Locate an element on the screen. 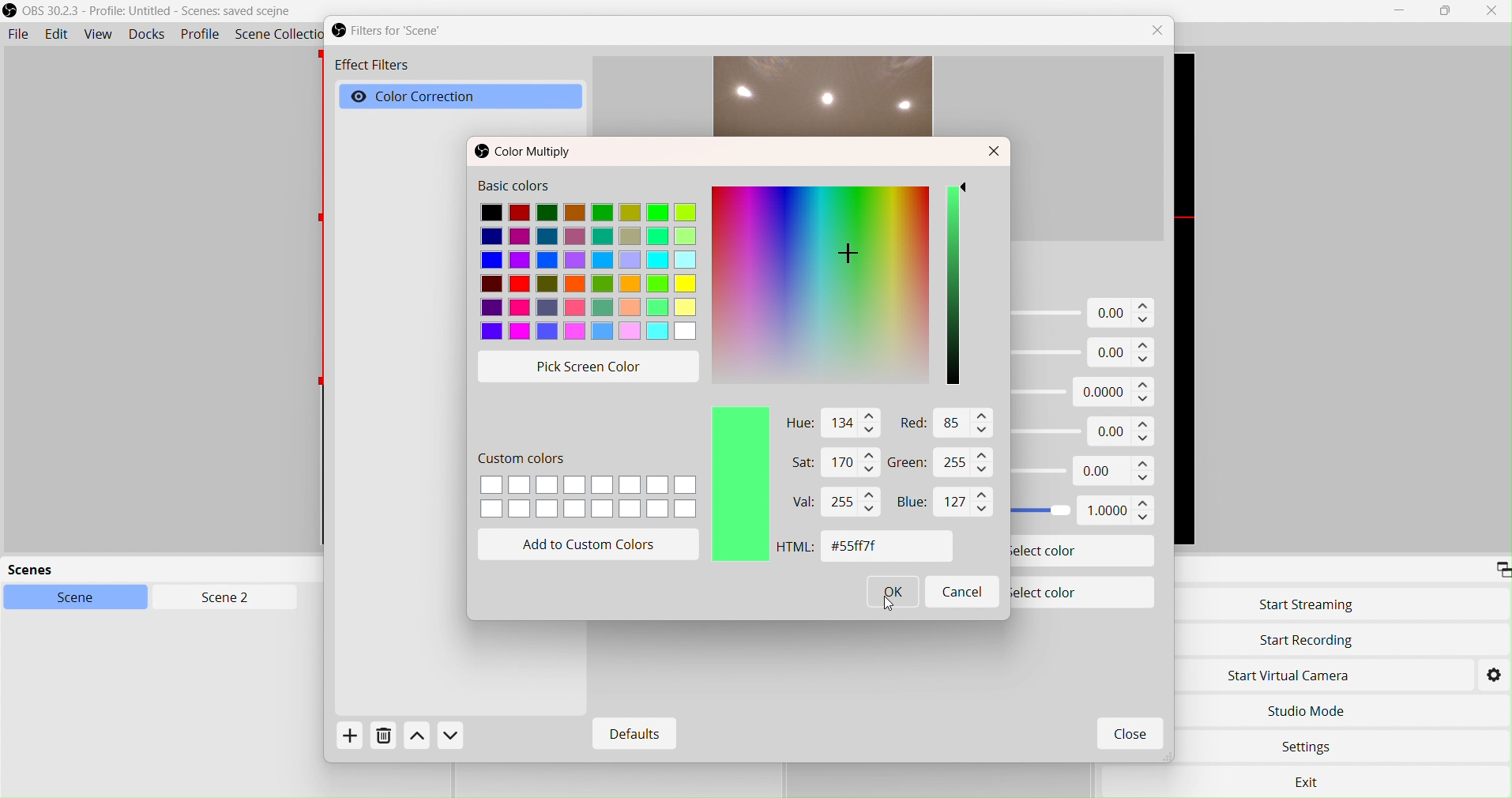 The image size is (1512, 798). Studio Move is located at coordinates (1307, 708).